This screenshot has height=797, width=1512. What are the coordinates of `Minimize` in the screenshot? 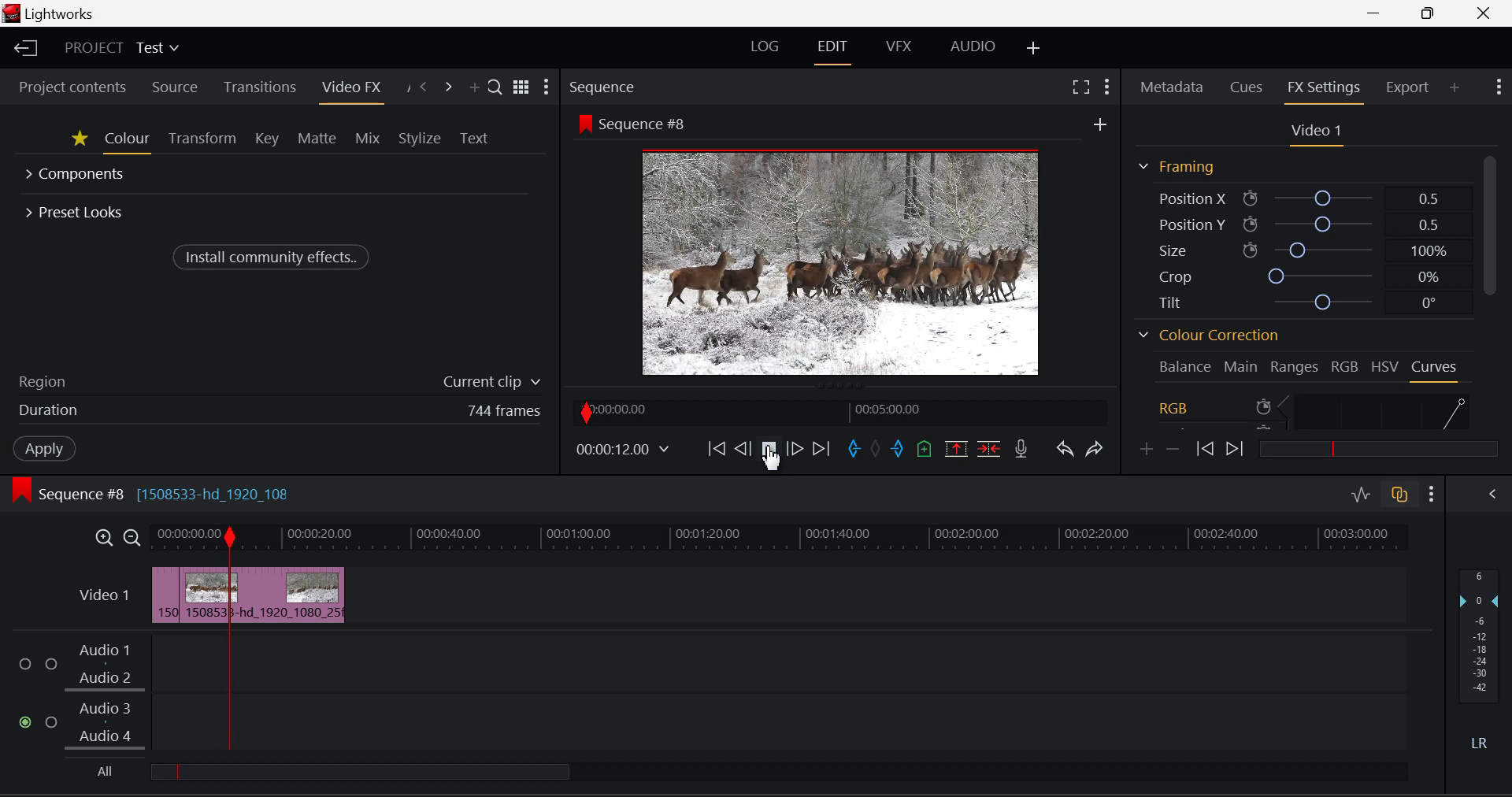 It's located at (1429, 13).